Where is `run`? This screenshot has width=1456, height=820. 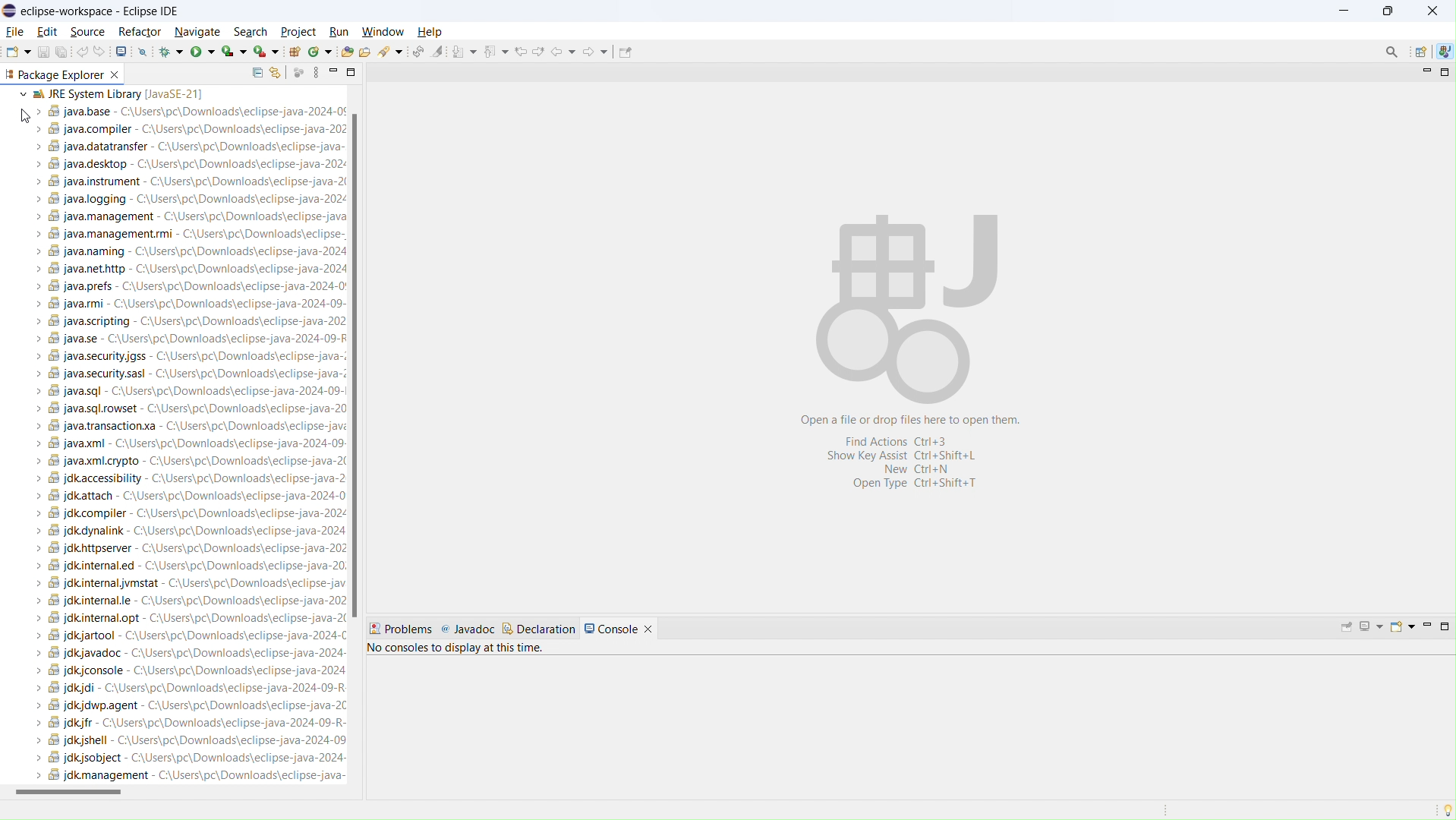
run is located at coordinates (203, 52).